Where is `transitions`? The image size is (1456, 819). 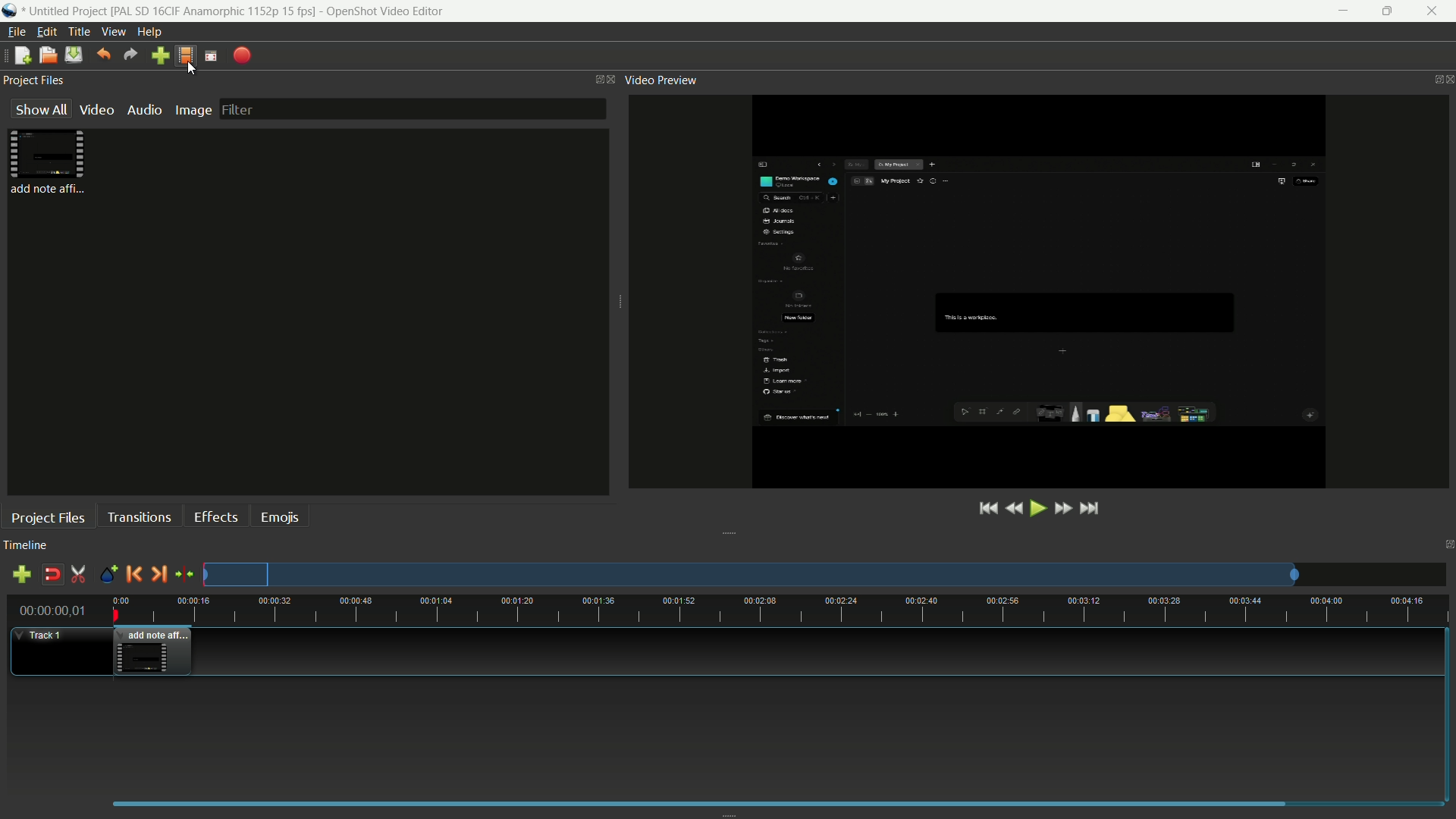
transitions is located at coordinates (139, 516).